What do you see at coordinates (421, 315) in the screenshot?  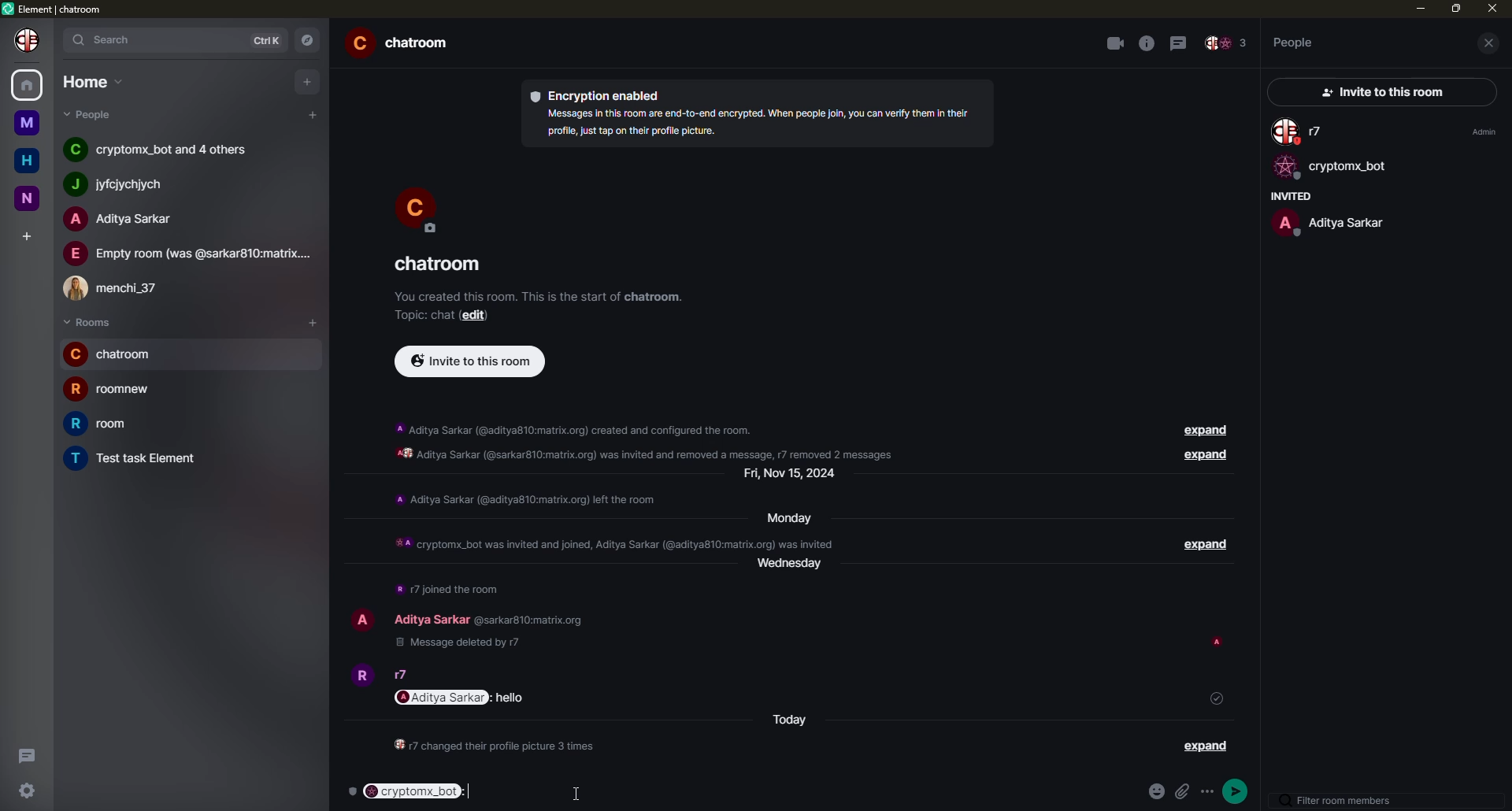 I see `topic` at bounding box center [421, 315].